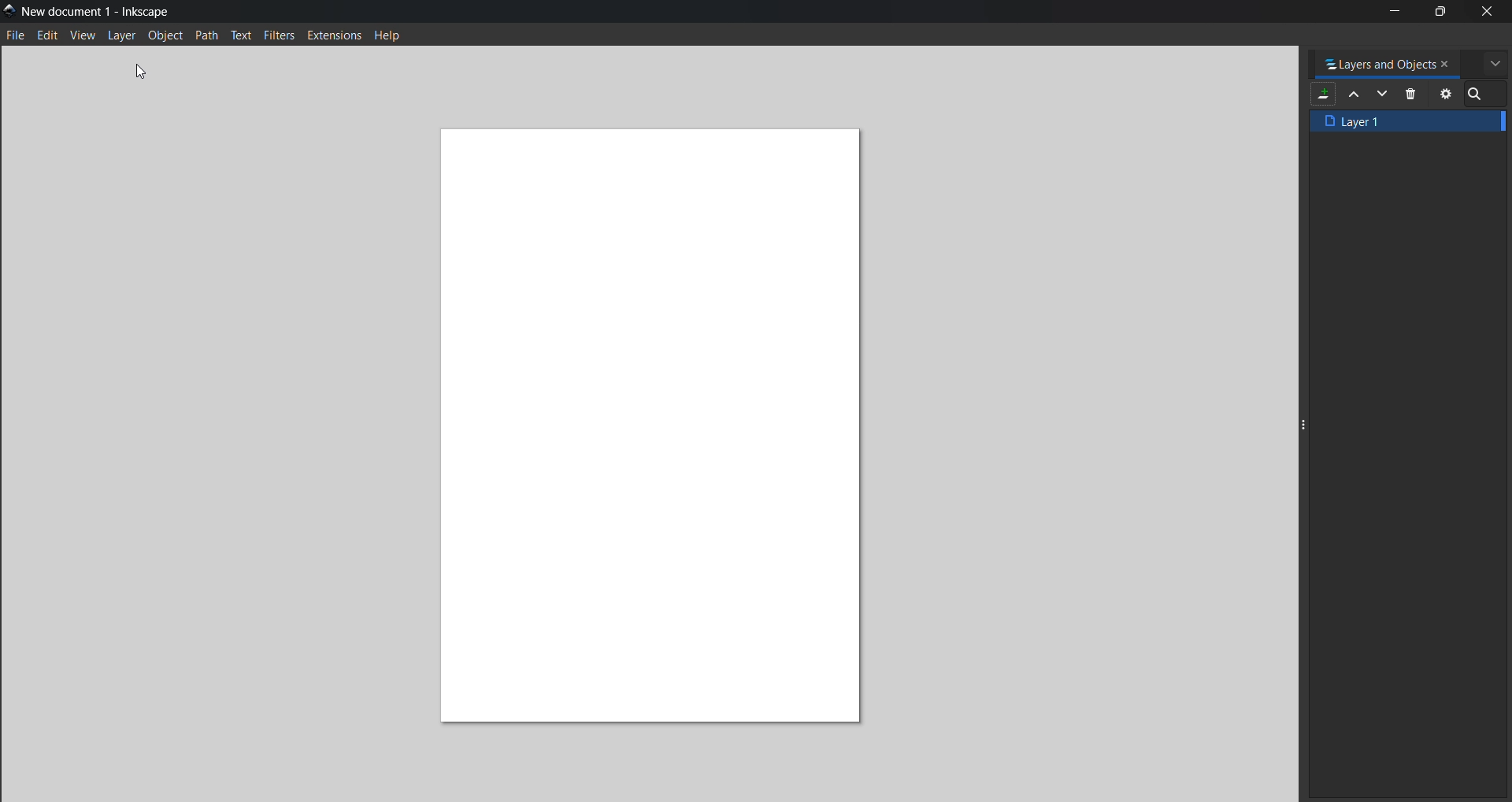 This screenshot has height=802, width=1512. I want to click on setting, so click(1443, 94).